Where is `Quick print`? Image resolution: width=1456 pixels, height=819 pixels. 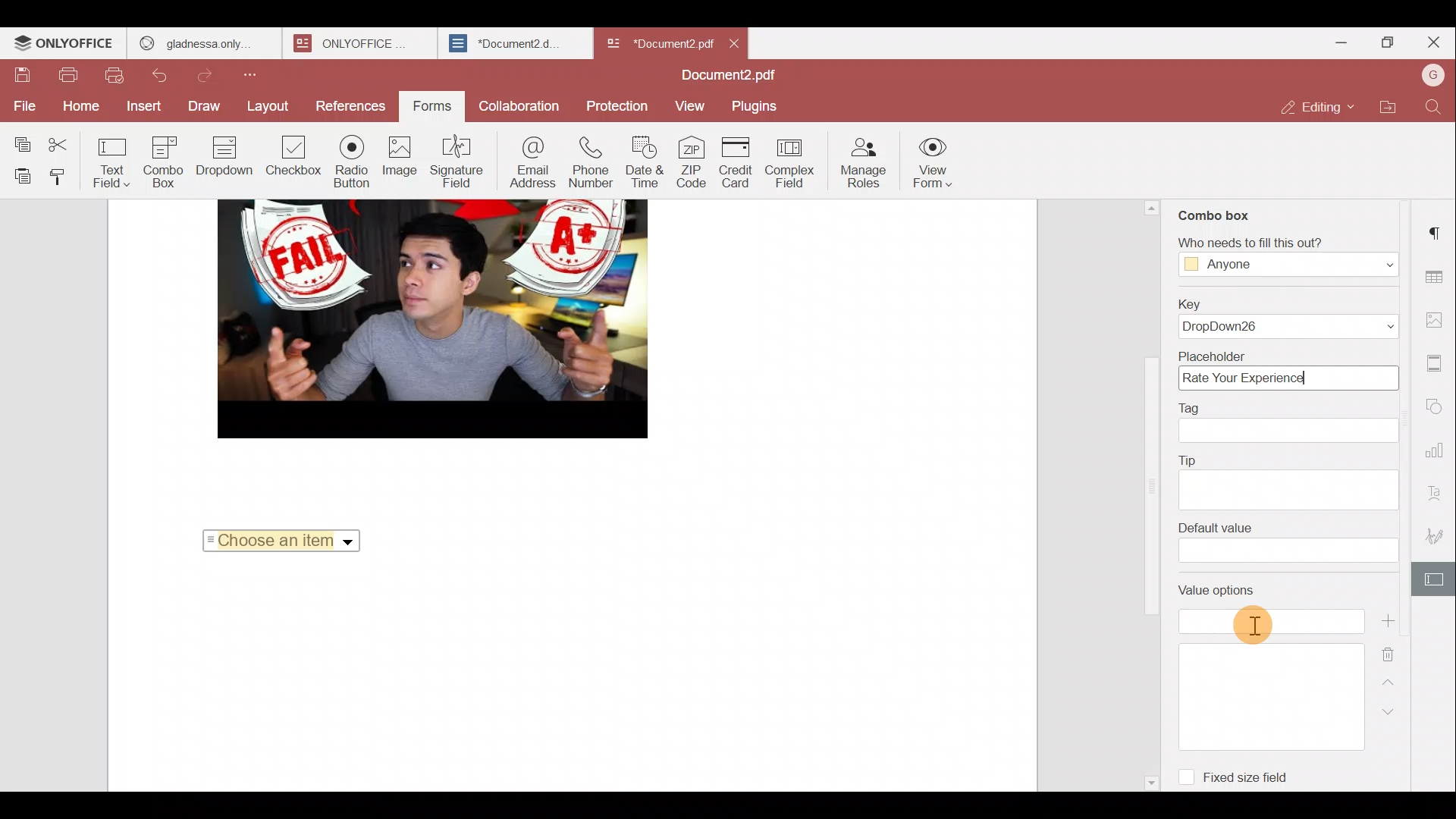 Quick print is located at coordinates (114, 76).